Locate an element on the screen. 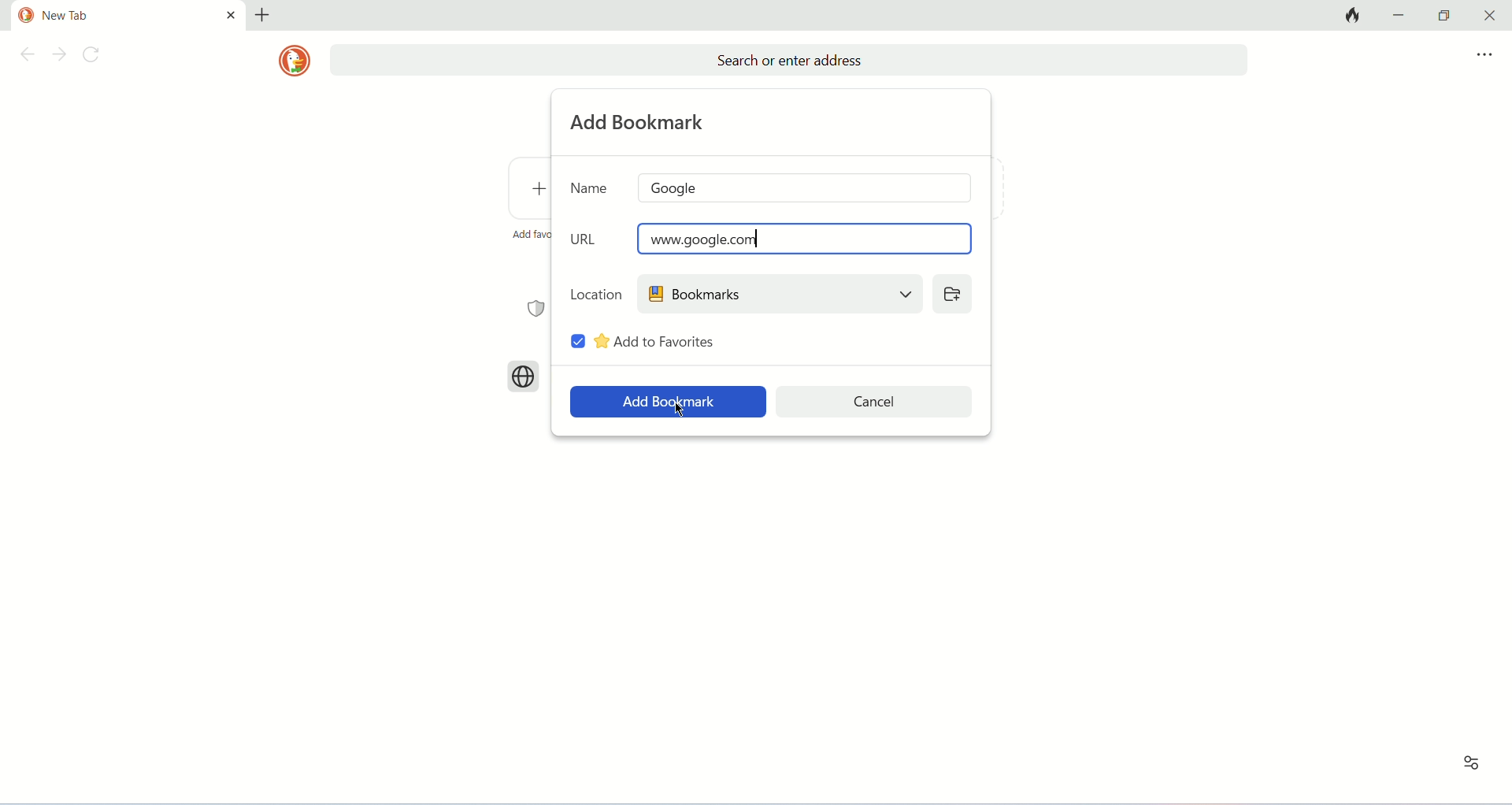 Image resolution: width=1512 pixels, height=805 pixels. close is located at coordinates (1486, 16).